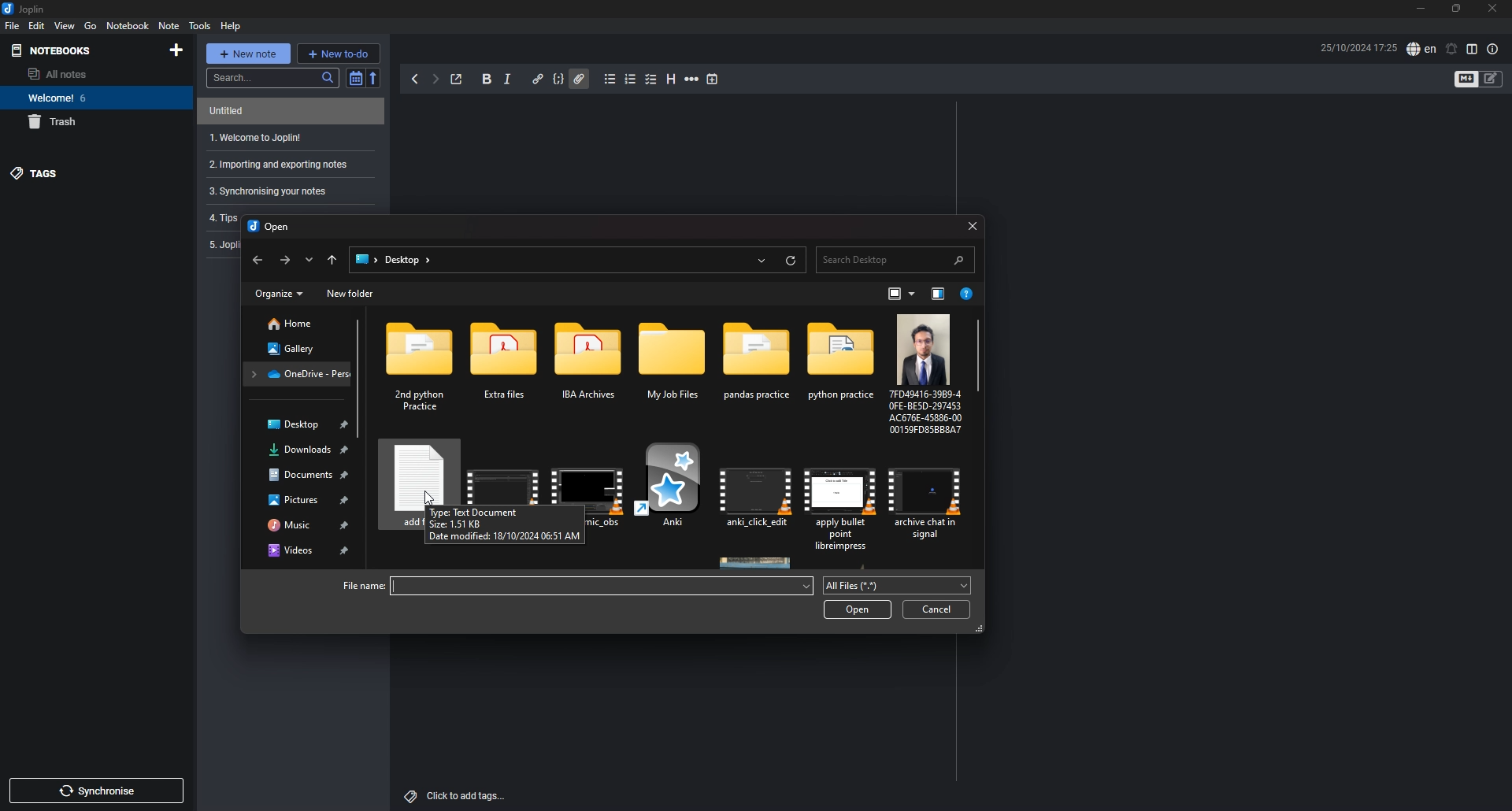  Describe the element at coordinates (1452, 50) in the screenshot. I see `set alarm` at that location.